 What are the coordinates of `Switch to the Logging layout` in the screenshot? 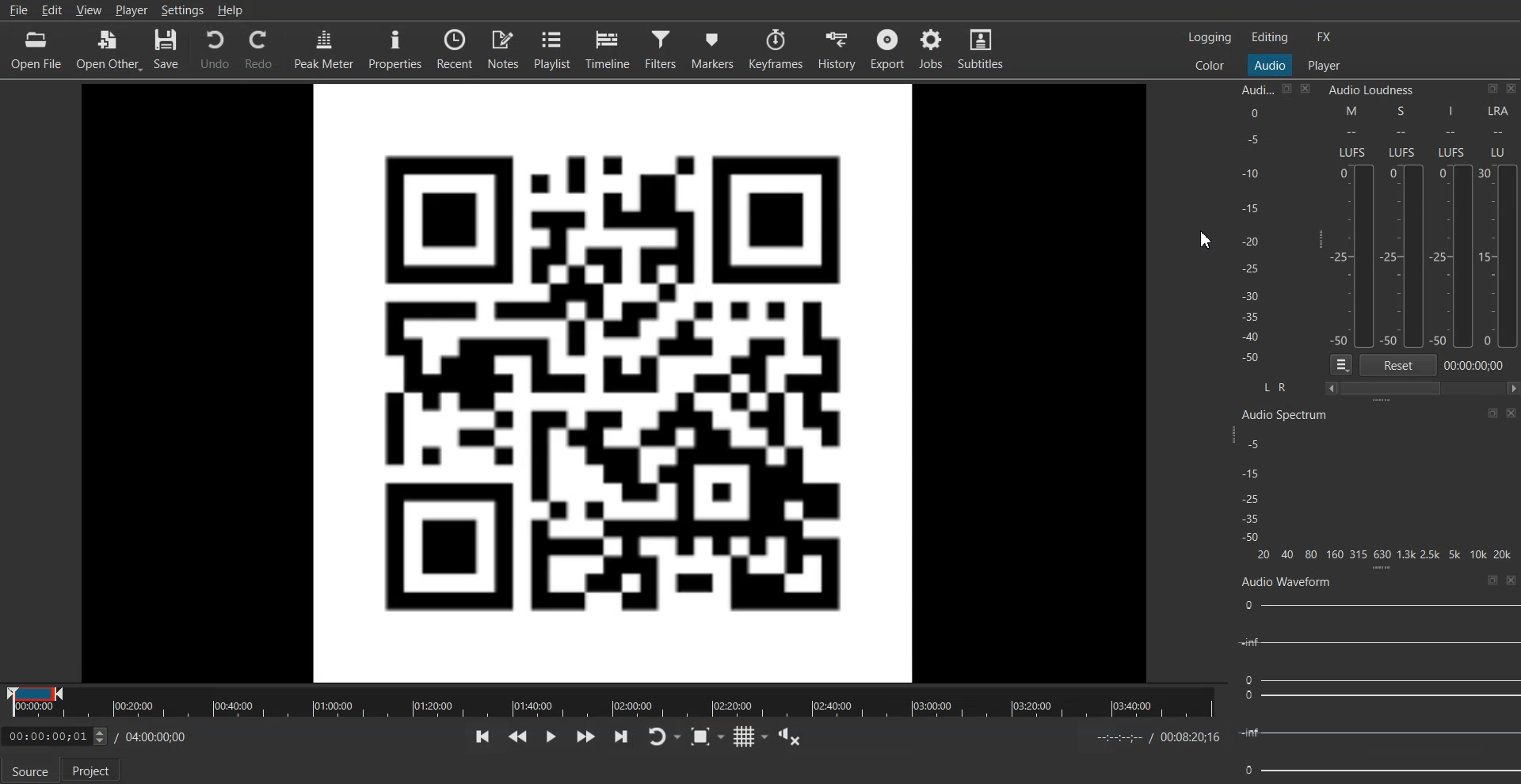 It's located at (1211, 37).